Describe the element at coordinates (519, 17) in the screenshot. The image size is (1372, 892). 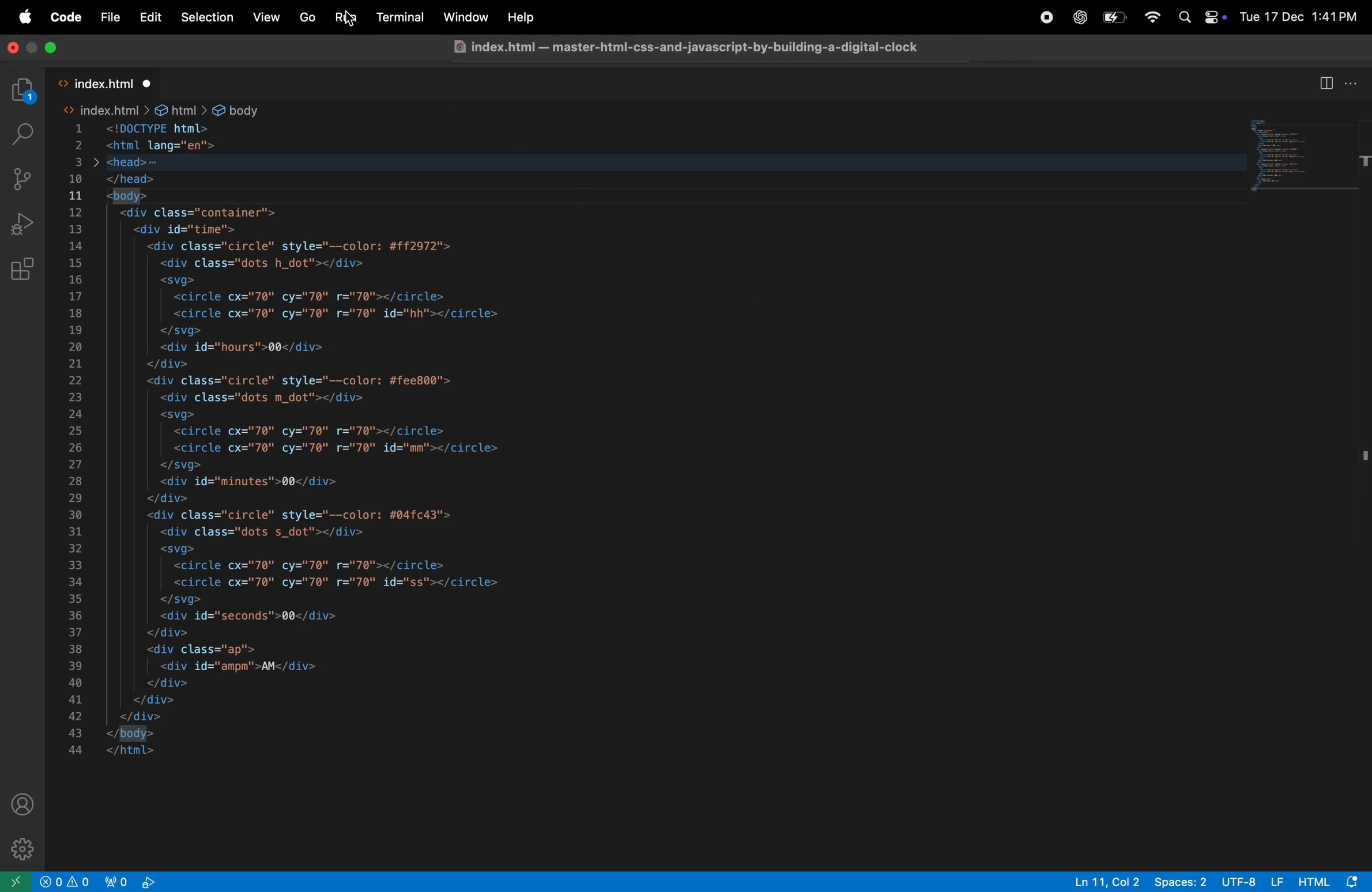
I see `help` at that location.